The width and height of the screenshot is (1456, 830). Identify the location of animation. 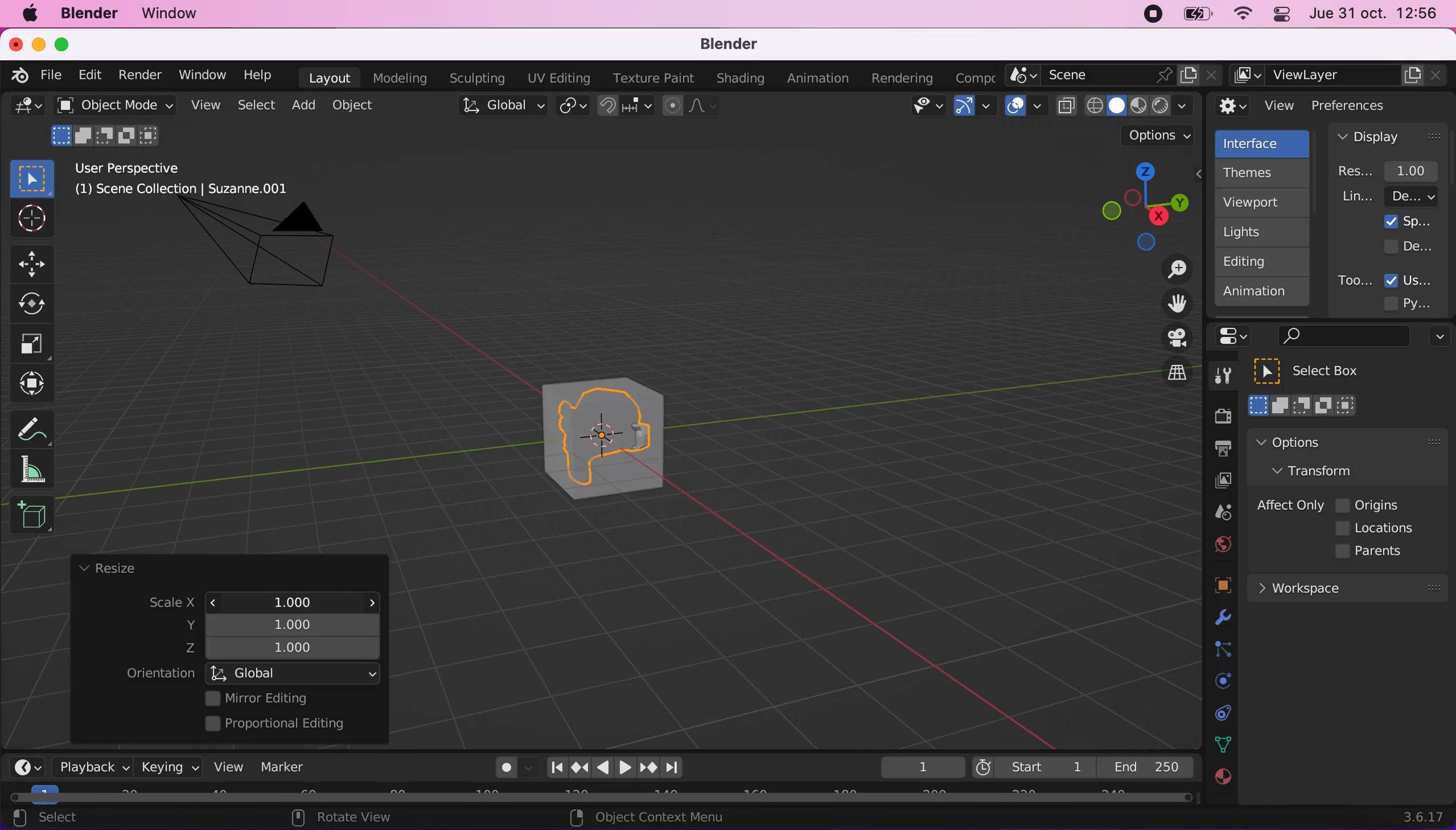
(821, 79).